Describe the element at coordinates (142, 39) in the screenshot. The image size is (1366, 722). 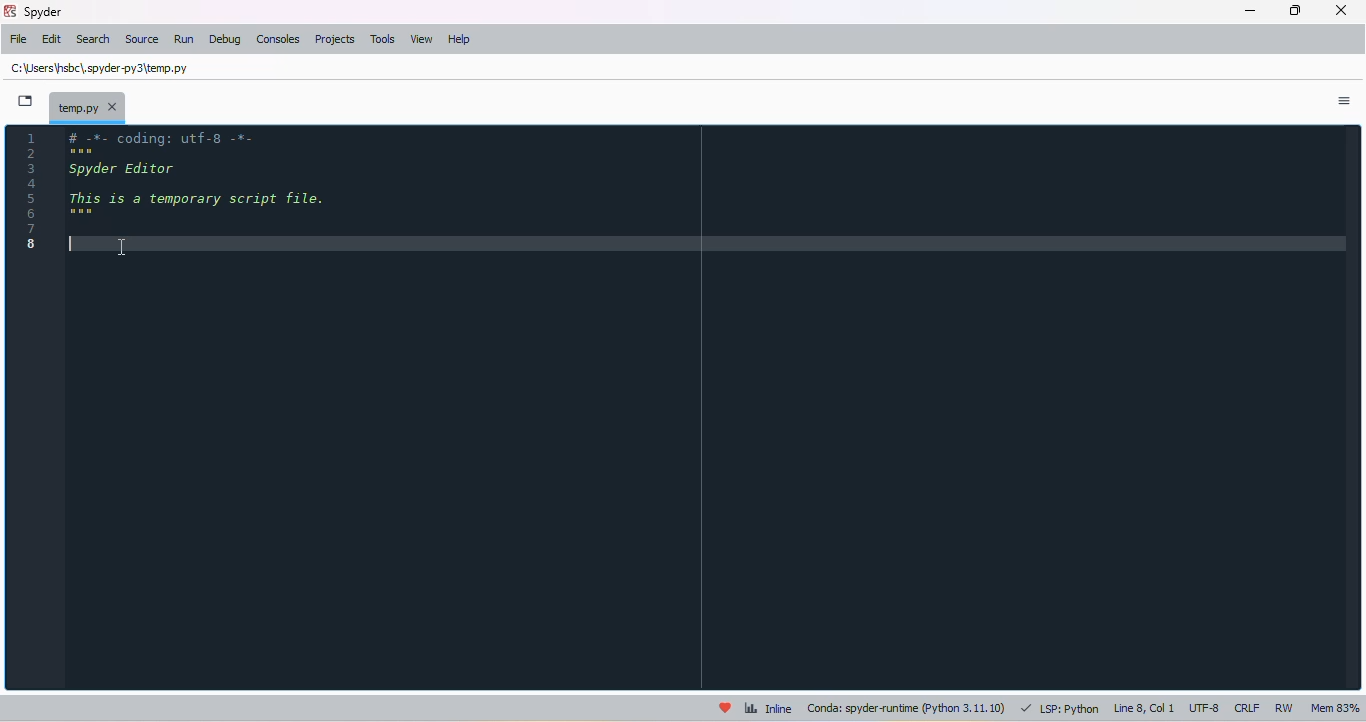
I see `source` at that location.